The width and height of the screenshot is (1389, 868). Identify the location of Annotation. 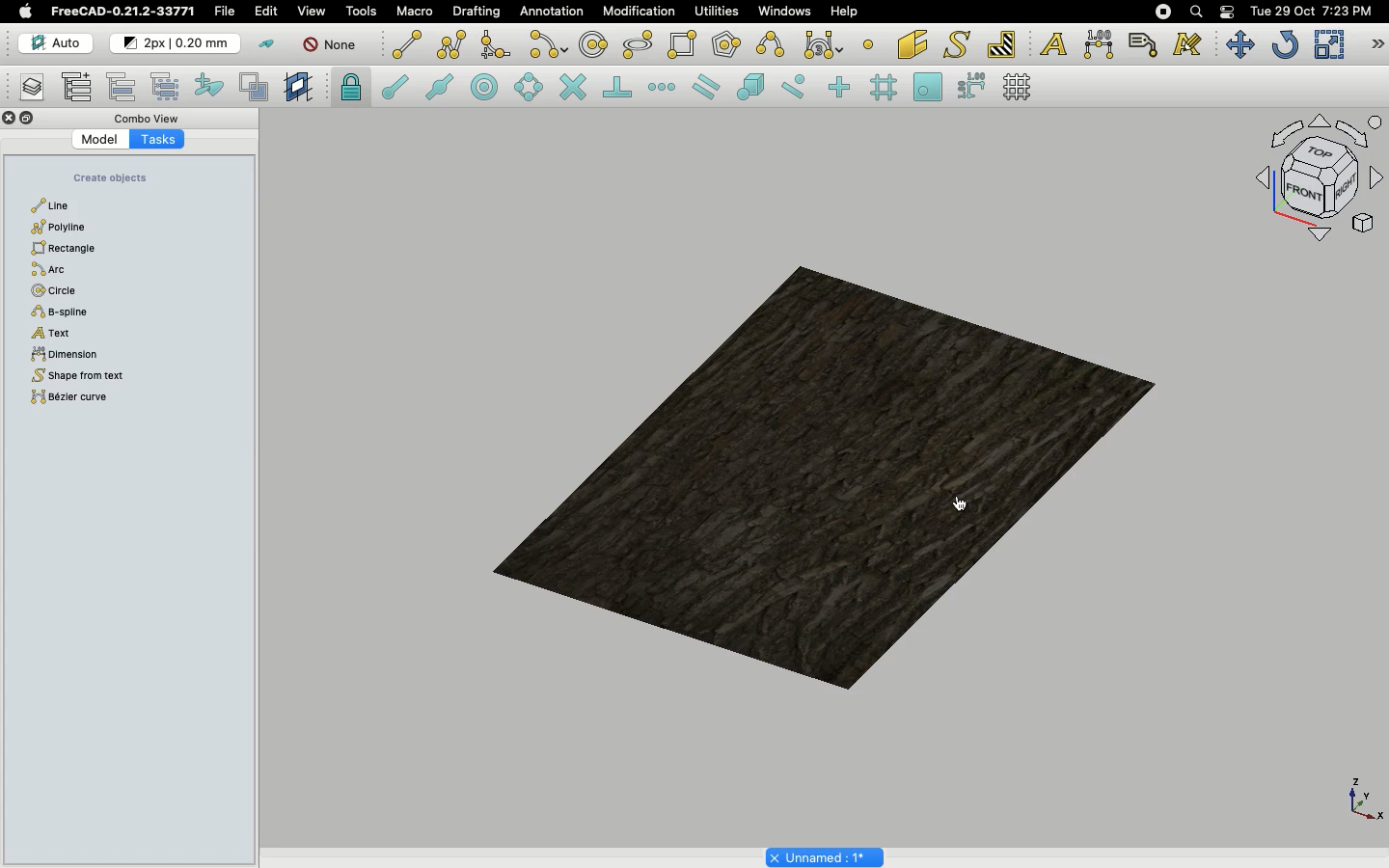
(553, 12).